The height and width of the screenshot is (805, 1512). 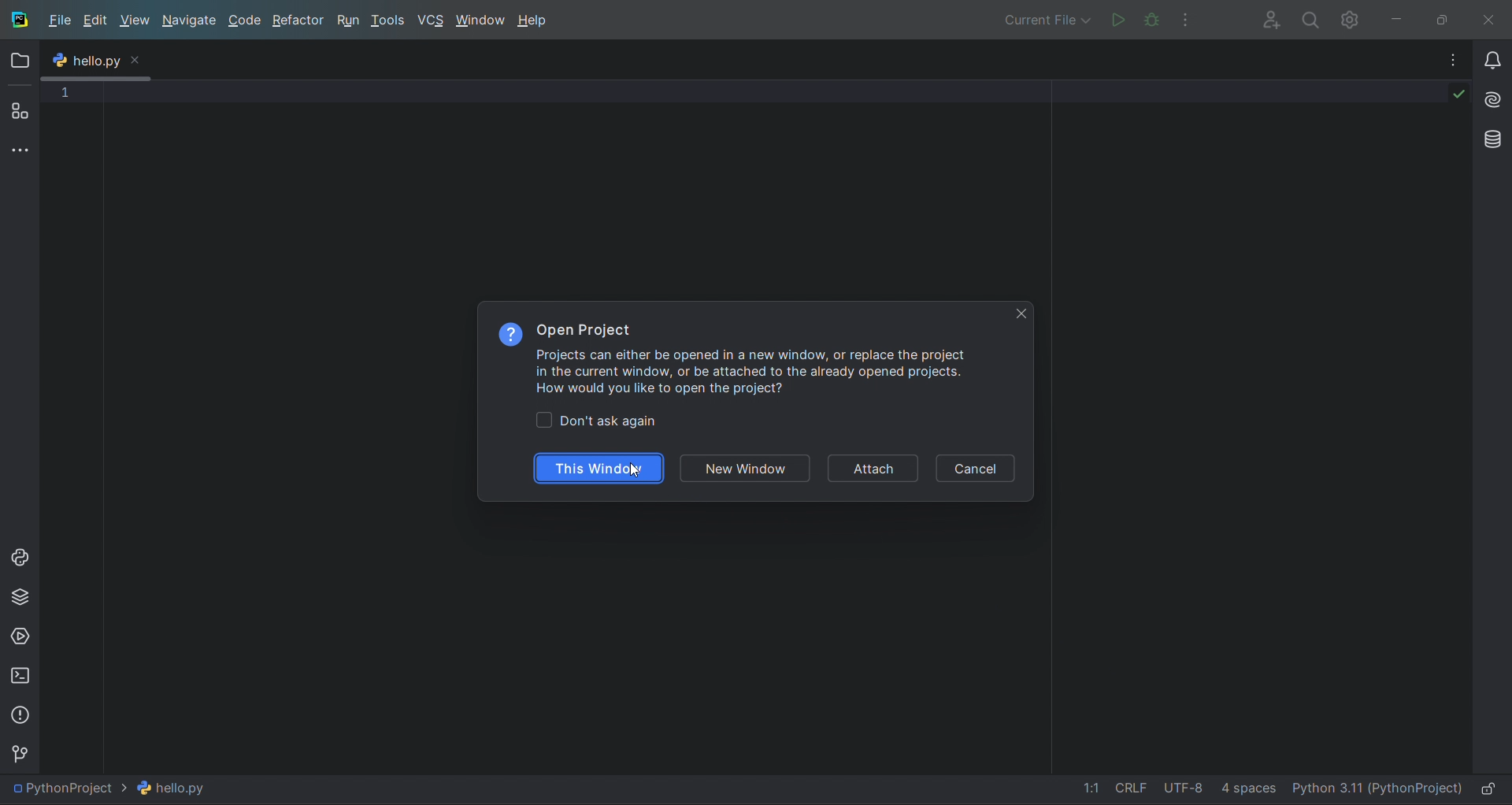 What do you see at coordinates (1447, 18) in the screenshot?
I see `maximize` at bounding box center [1447, 18].